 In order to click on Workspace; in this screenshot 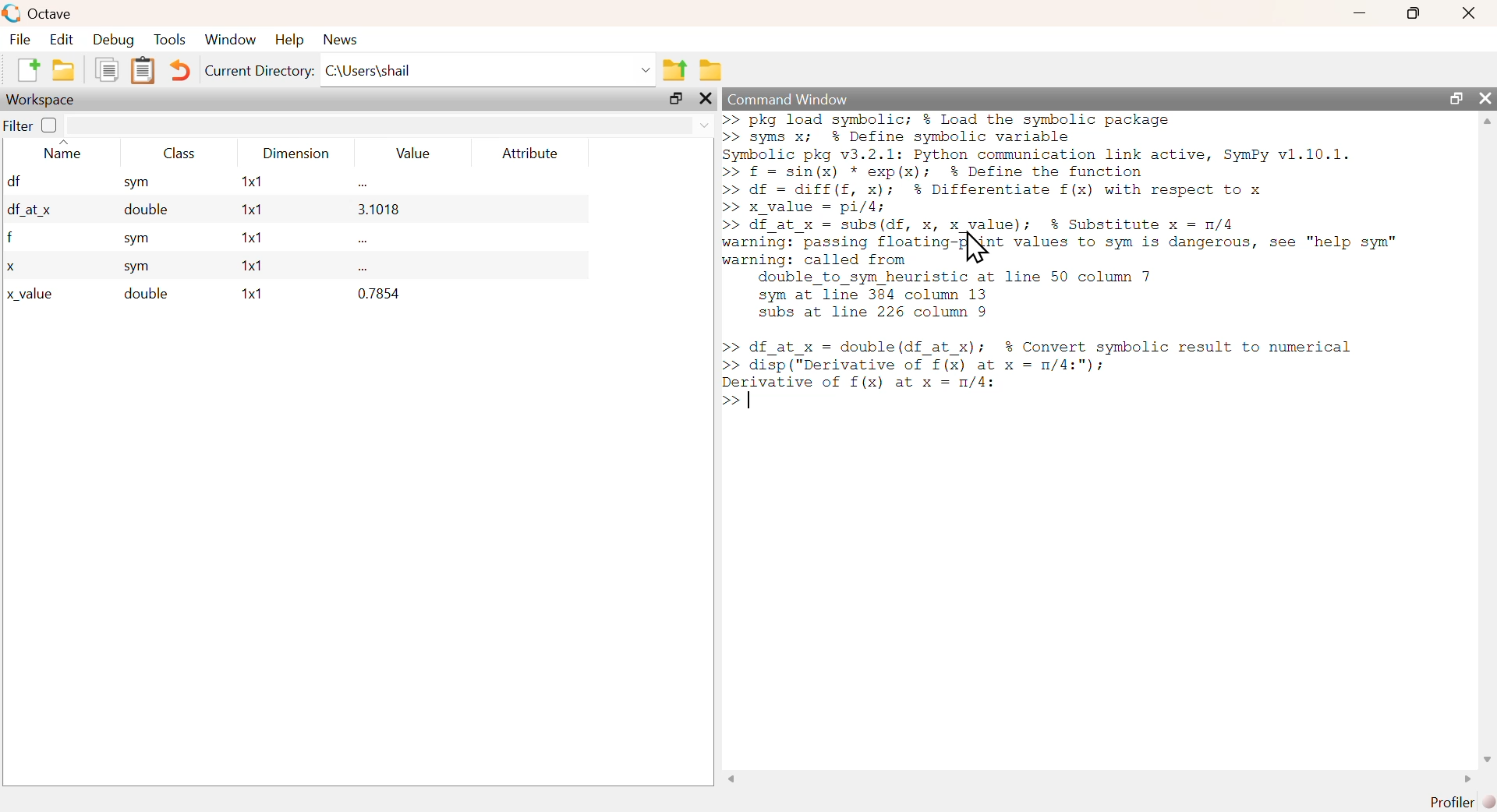, I will do `click(41, 100)`.